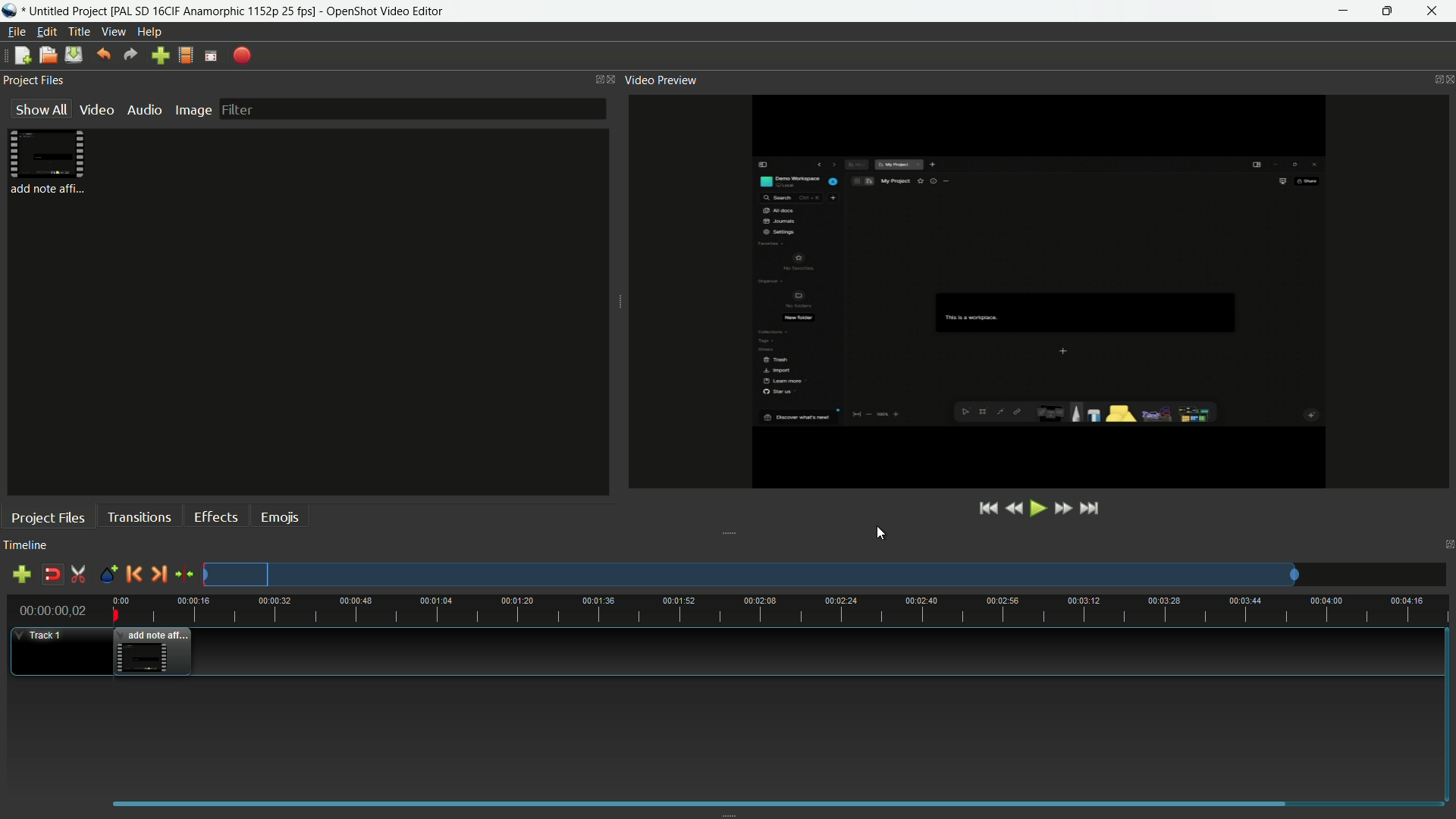 The height and width of the screenshot is (819, 1456). I want to click on next marker, so click(157, 573).